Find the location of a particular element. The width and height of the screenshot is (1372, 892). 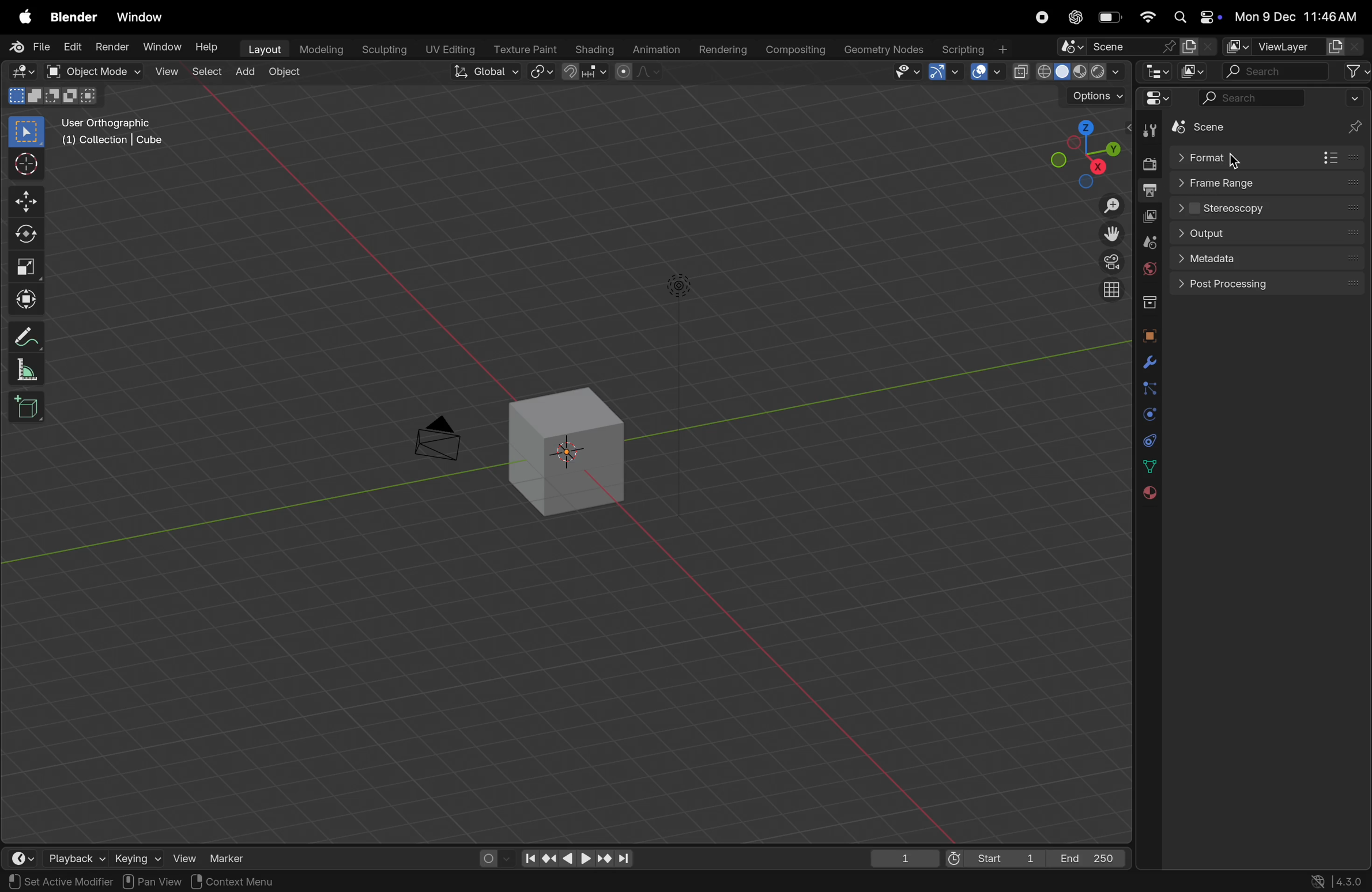

context menu is located at coordinates (231, 880).